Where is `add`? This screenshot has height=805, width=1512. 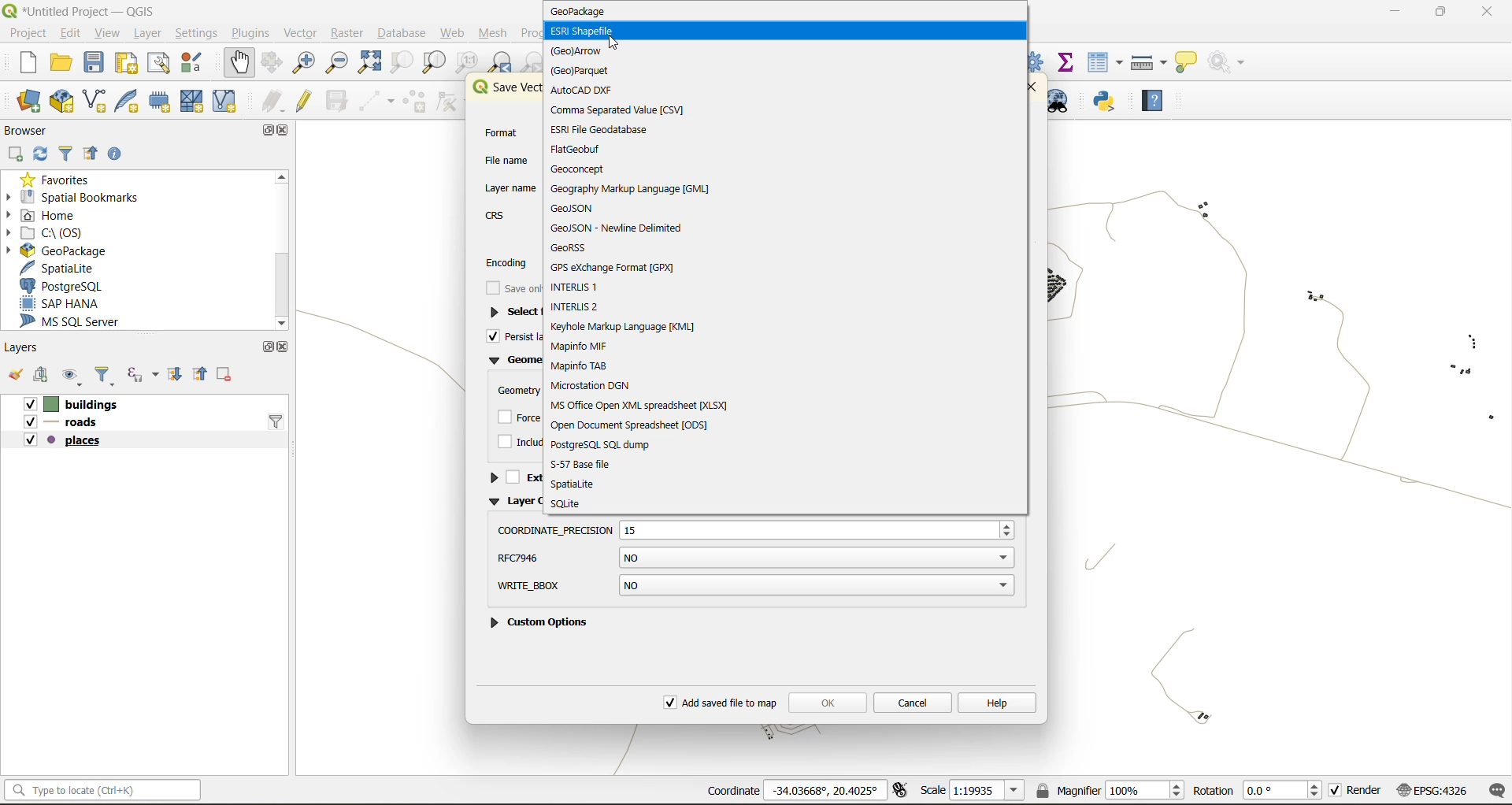 add is located at coordinates (46, 377).